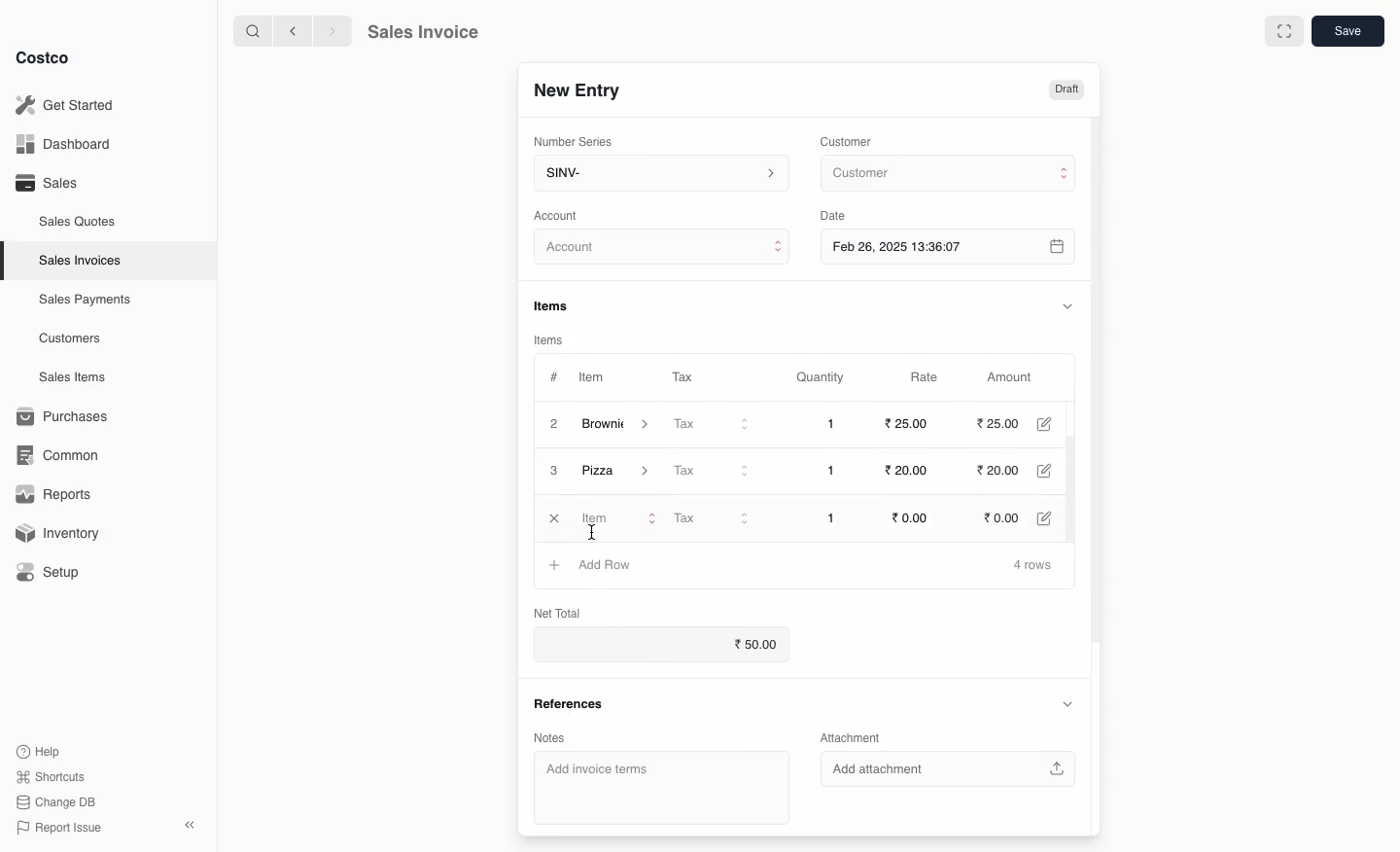 This screenshot has width=1400, height=852. I want to click on Brownie, so click(617, 424).